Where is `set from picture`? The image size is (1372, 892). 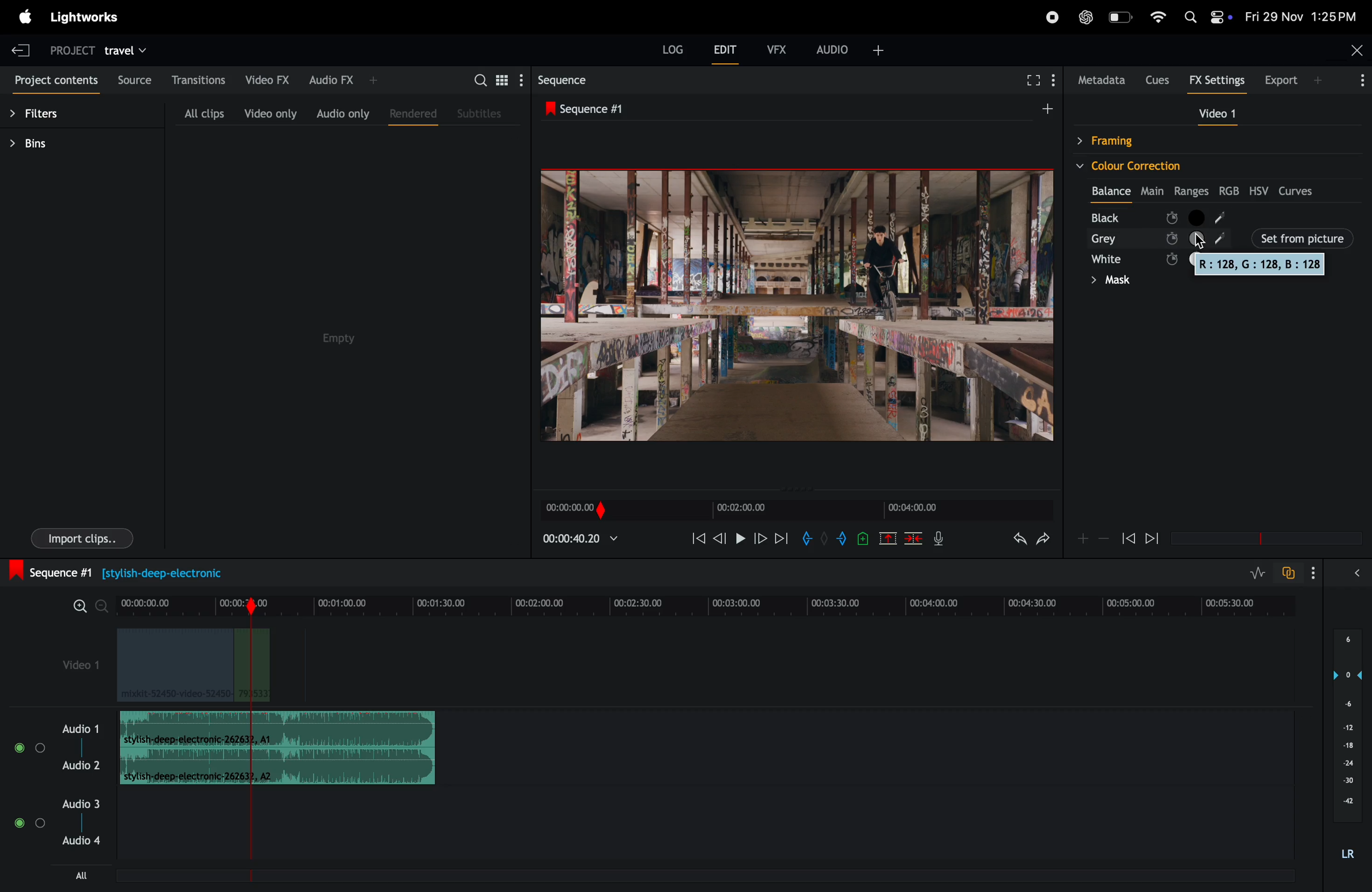
set from picture is located at coordinates (1258, 237).